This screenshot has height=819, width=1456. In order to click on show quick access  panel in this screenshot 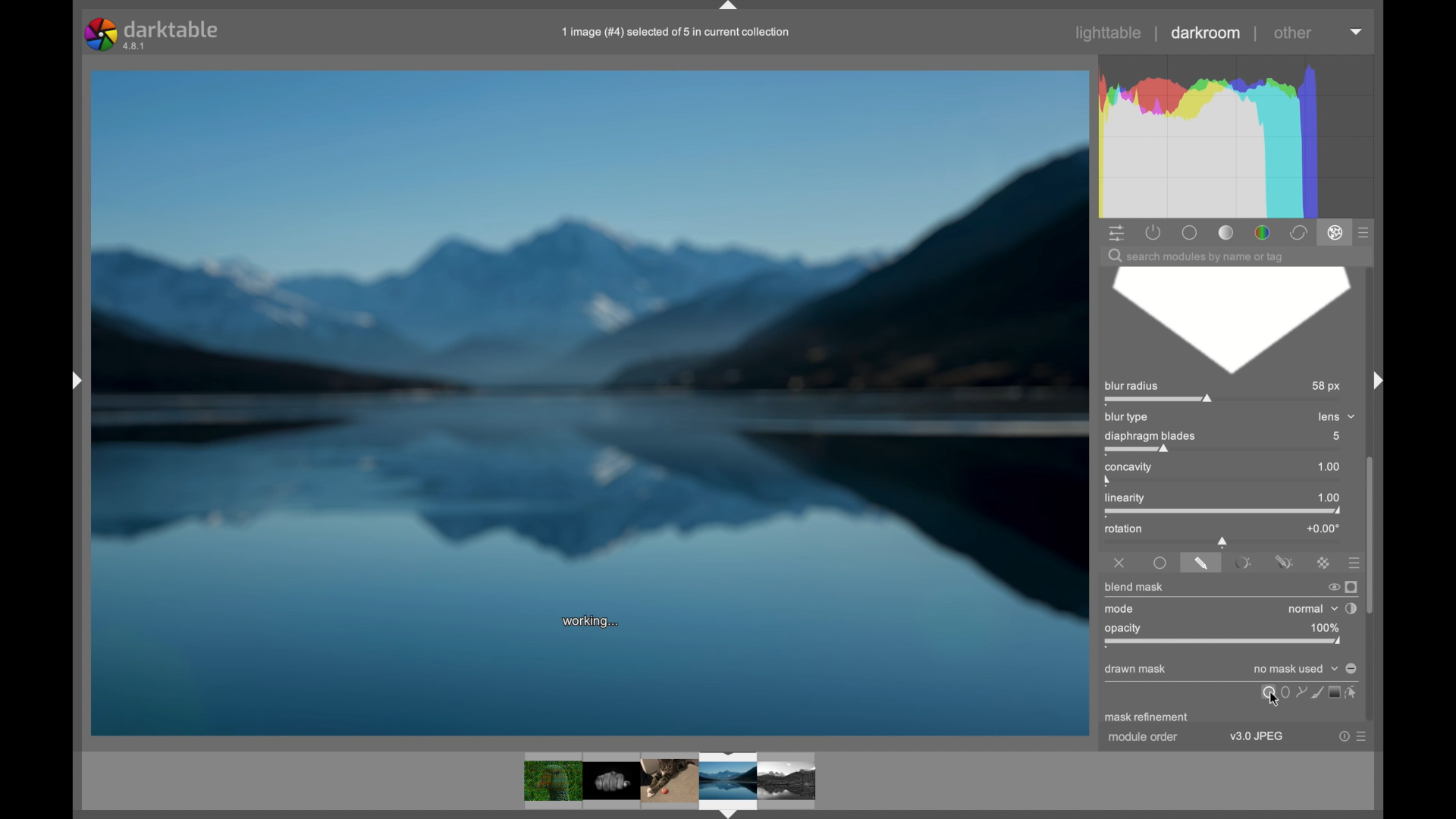, I will do `click(1116, 232)`.